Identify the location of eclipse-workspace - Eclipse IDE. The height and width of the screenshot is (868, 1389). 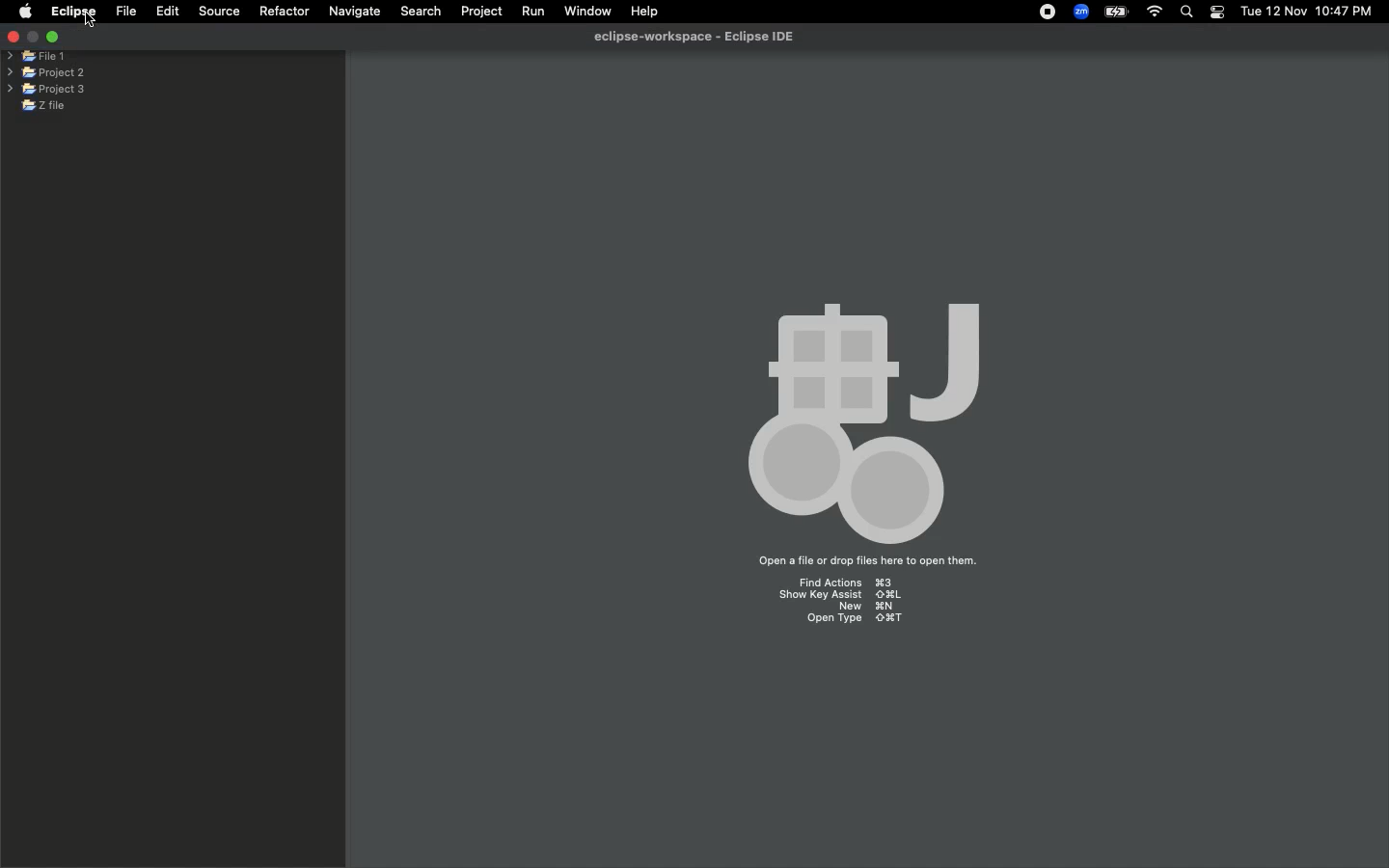
(699, 36).